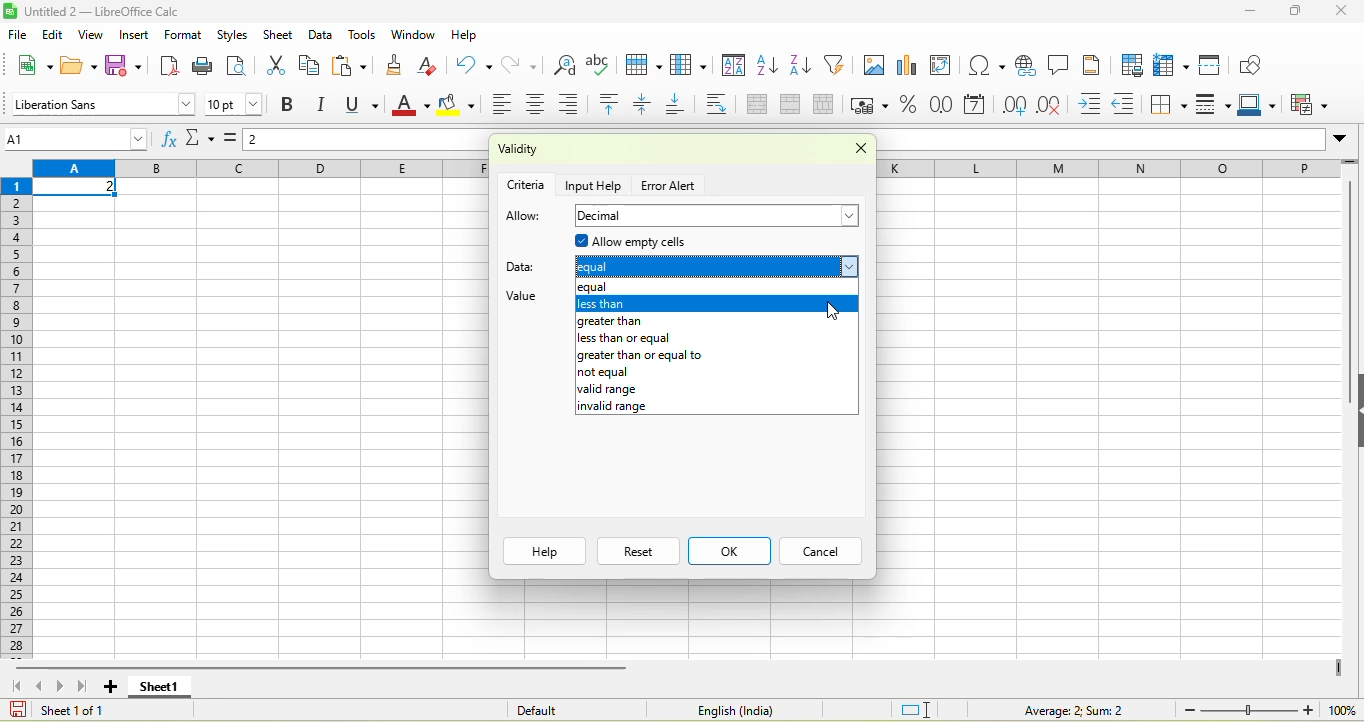 The width and height of the screenshot is (1364, 722). Describe the element at coordinates (719, 216) in the screenshot. I see `deciman` at that location.